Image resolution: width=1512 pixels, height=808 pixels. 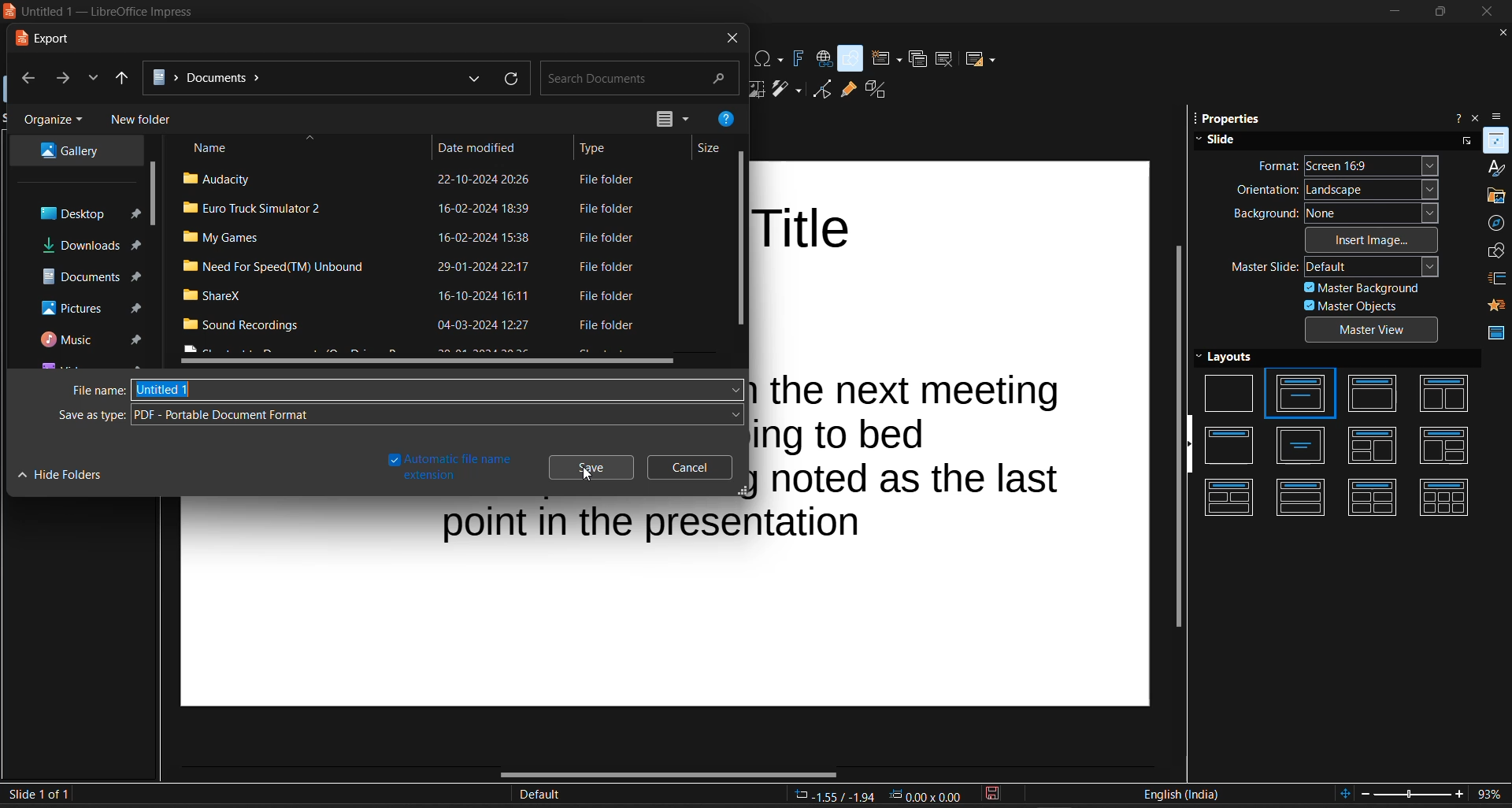 What do you see at coordinates (484, 209) in the screenshot?
I see `16-02-2024 18:39` at bounding box center [484, 209].